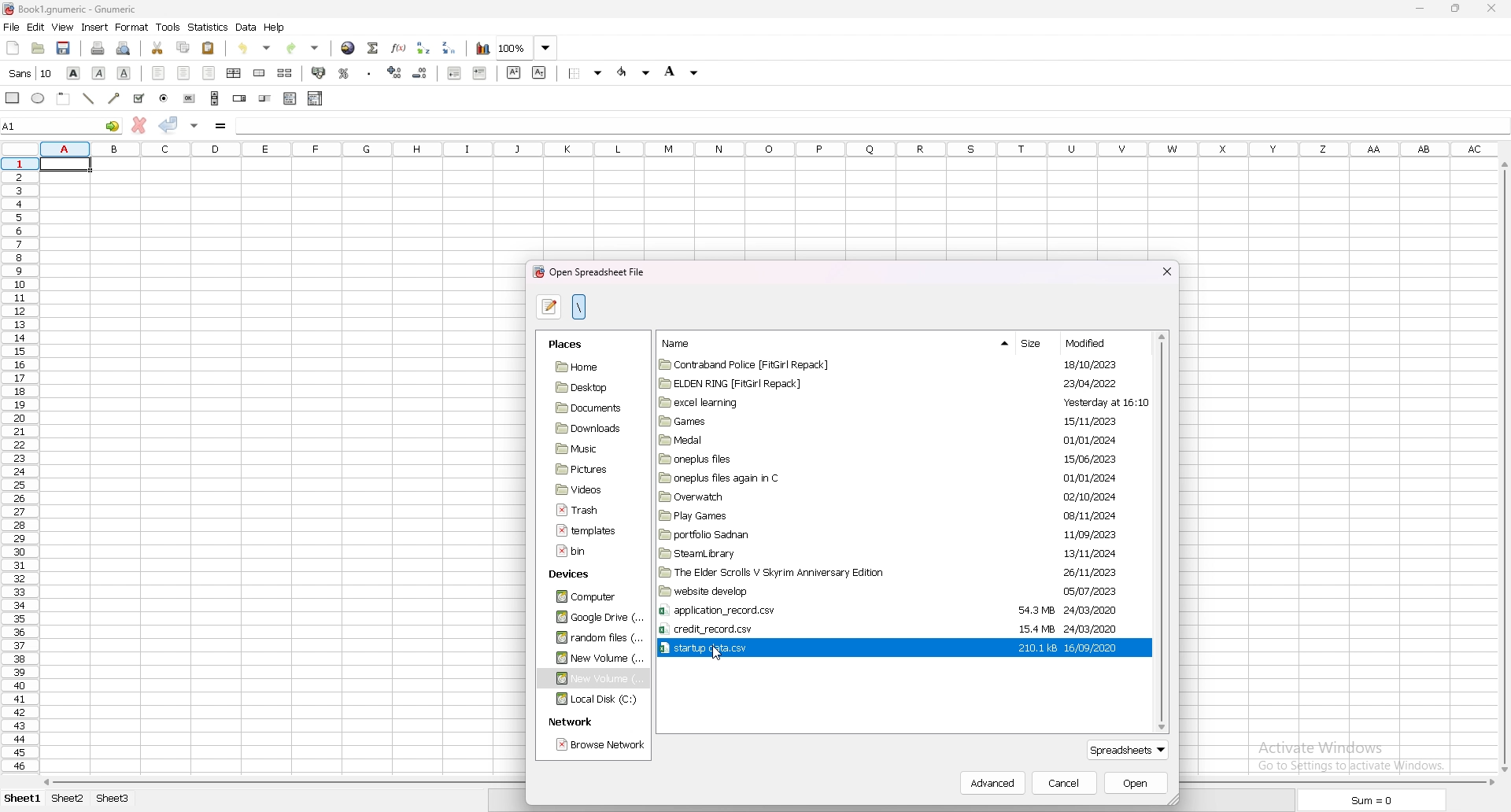  Describe the element at coordinates (285, 73) in the screenshot. I see `split merged cell` at that location.